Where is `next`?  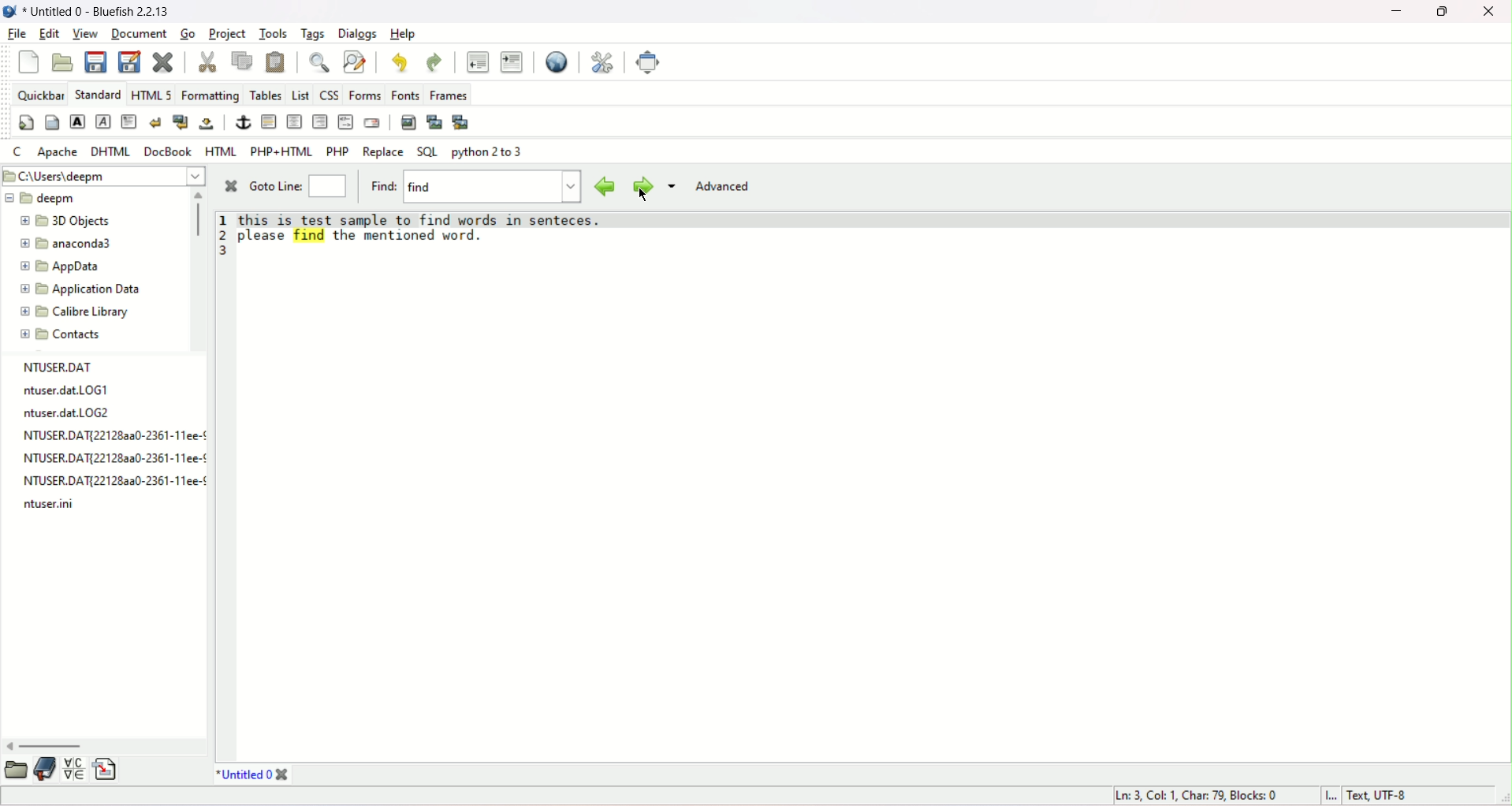 next is located at coordinates (640, 188).